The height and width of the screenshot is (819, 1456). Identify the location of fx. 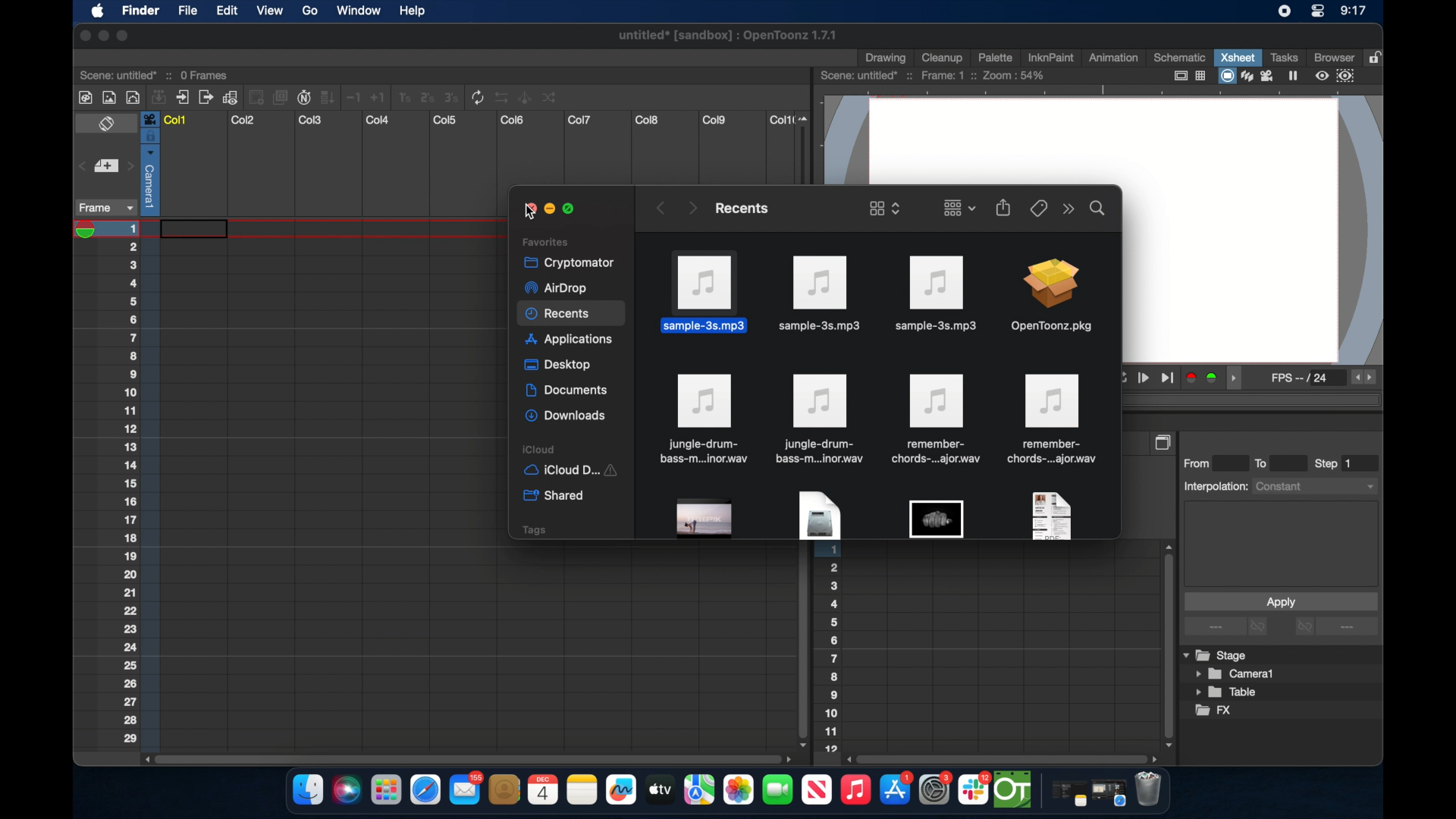
(1214, 711).